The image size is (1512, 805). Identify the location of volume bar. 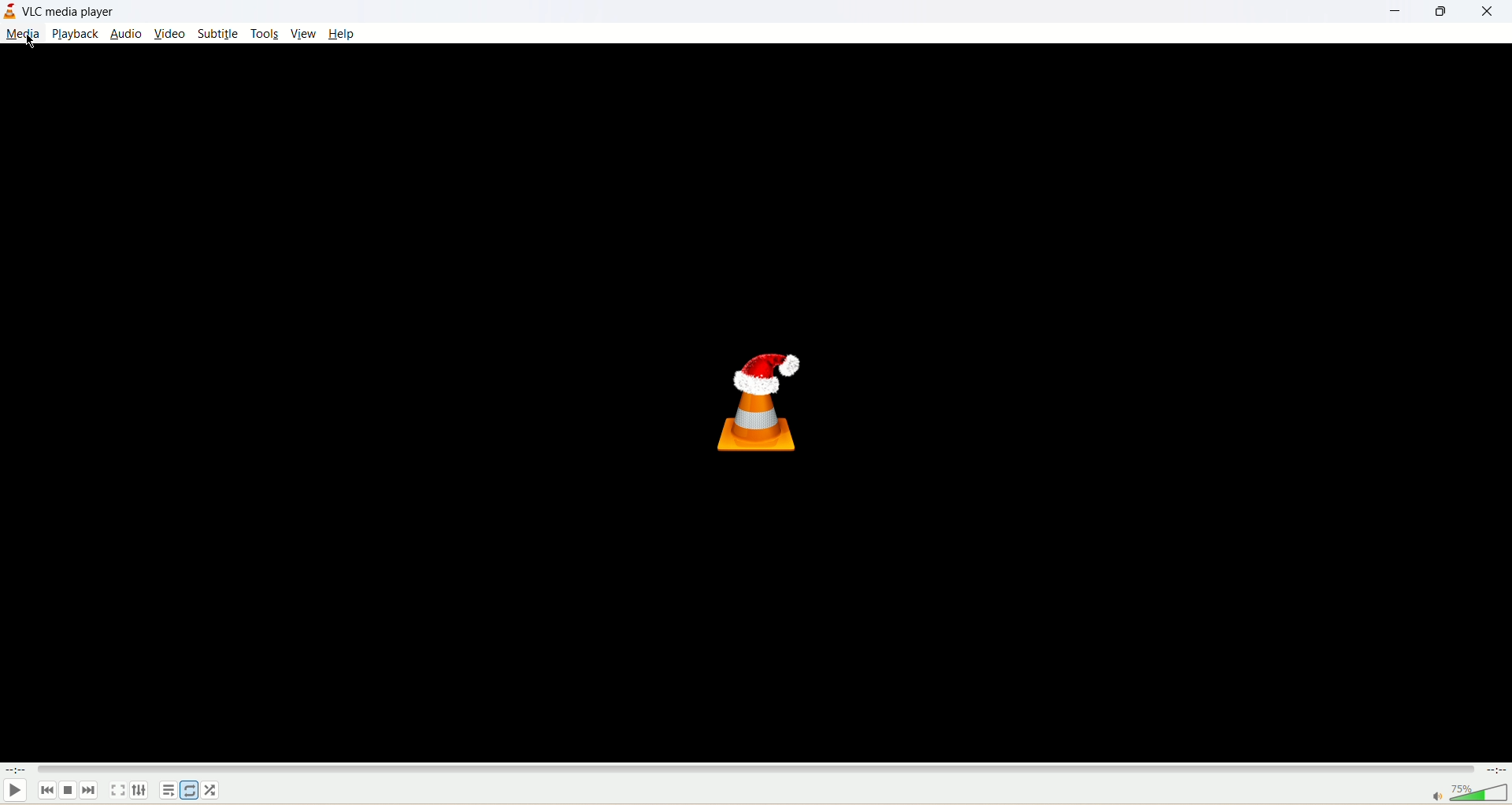
(1461, 793).